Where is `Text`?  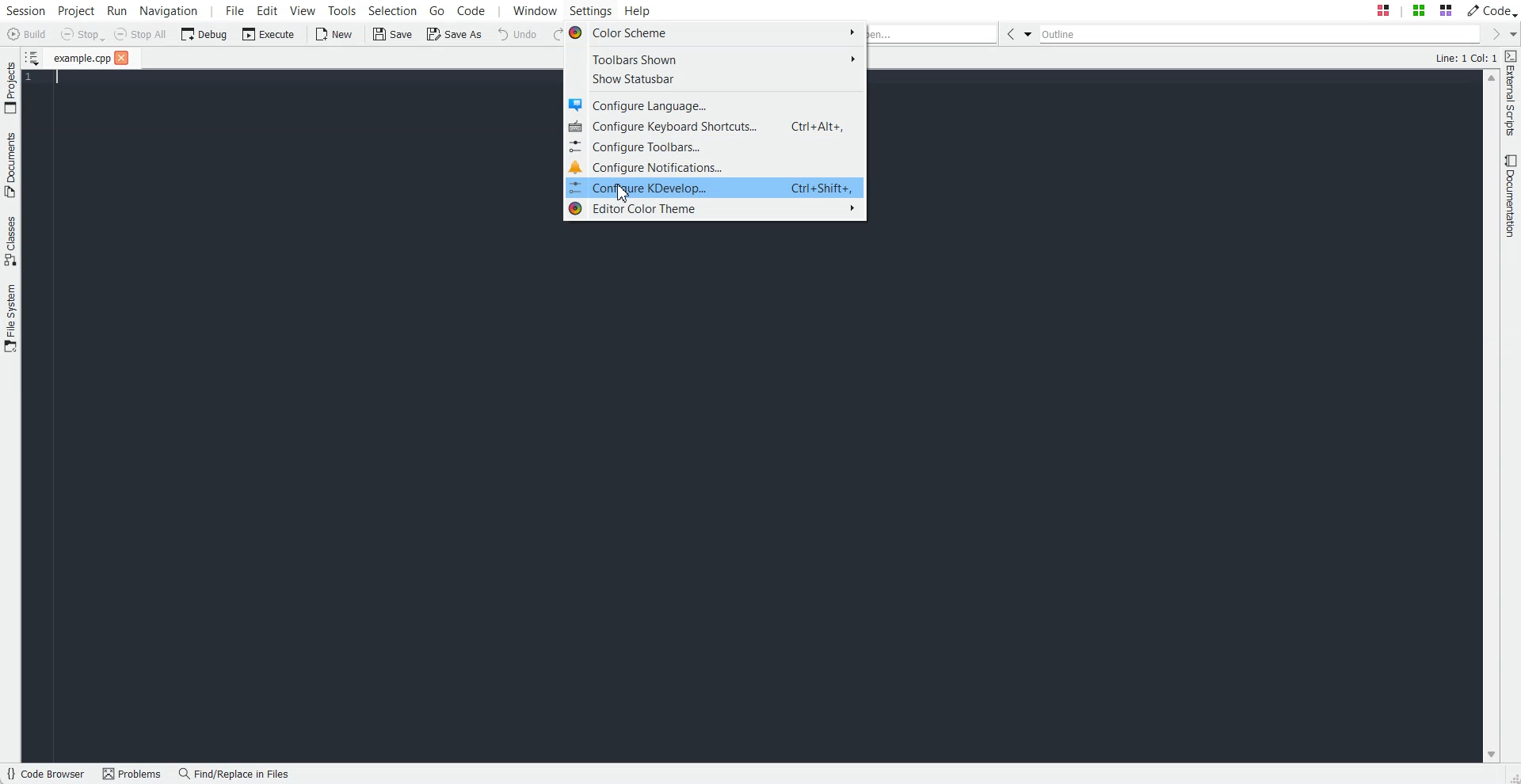
Text is located at coordinates (1466, 57).